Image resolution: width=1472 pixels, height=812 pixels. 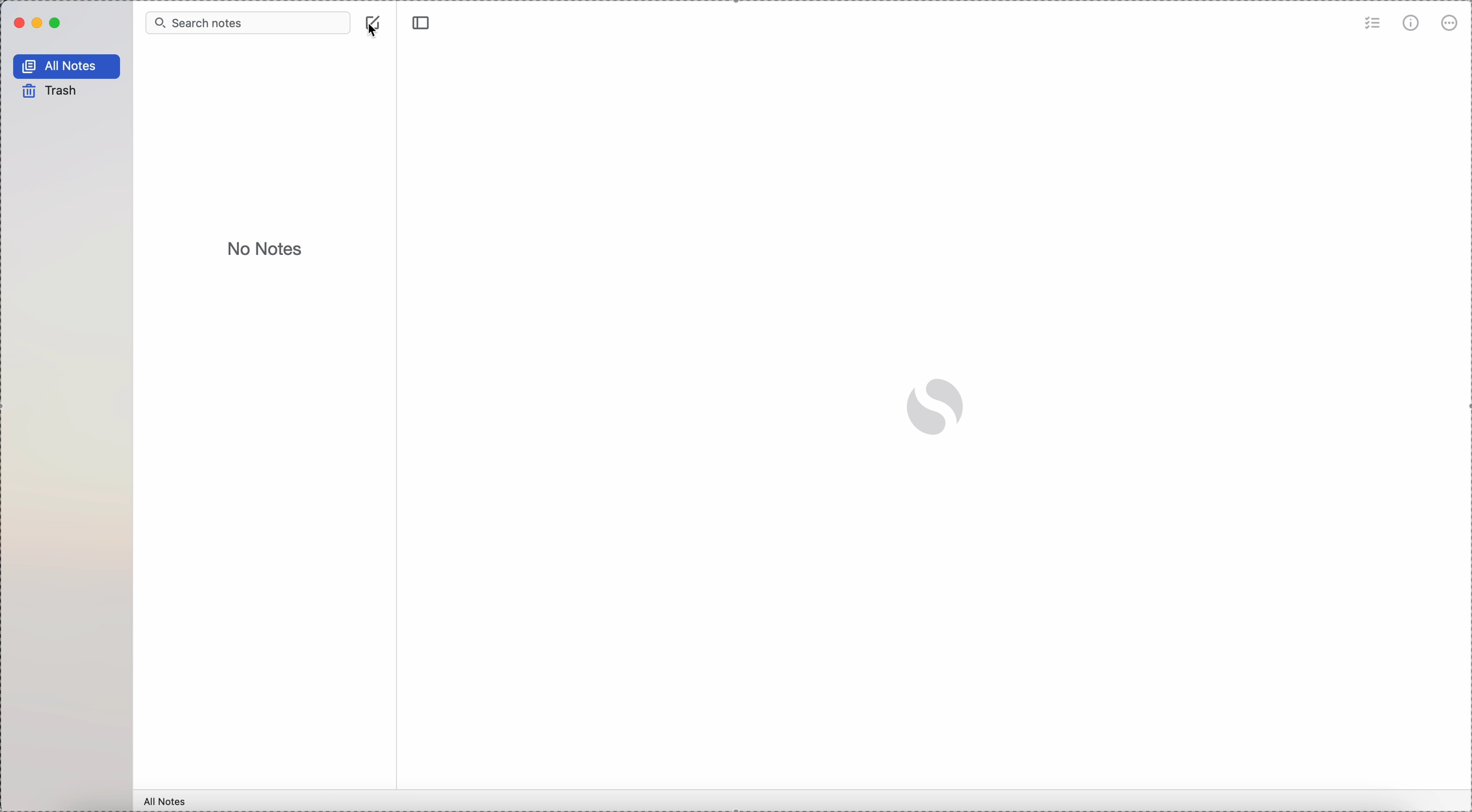 What do you see at coordinates (1413, 23) in the screenshot?
I see `metrics` at bounding box center [1413, 23].